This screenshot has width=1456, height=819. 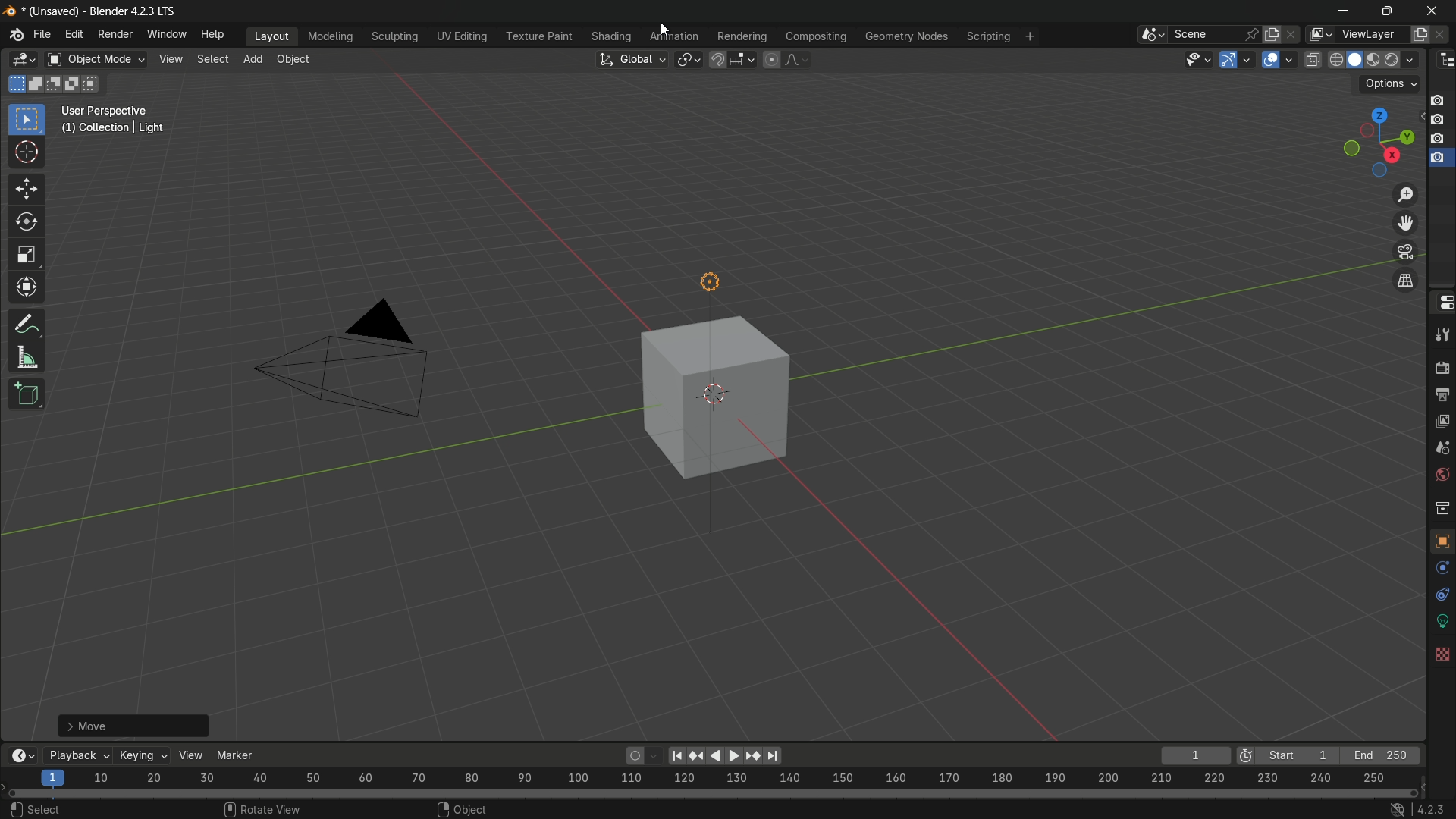 I want to click on switch current view, so click(x=1402, y=280).